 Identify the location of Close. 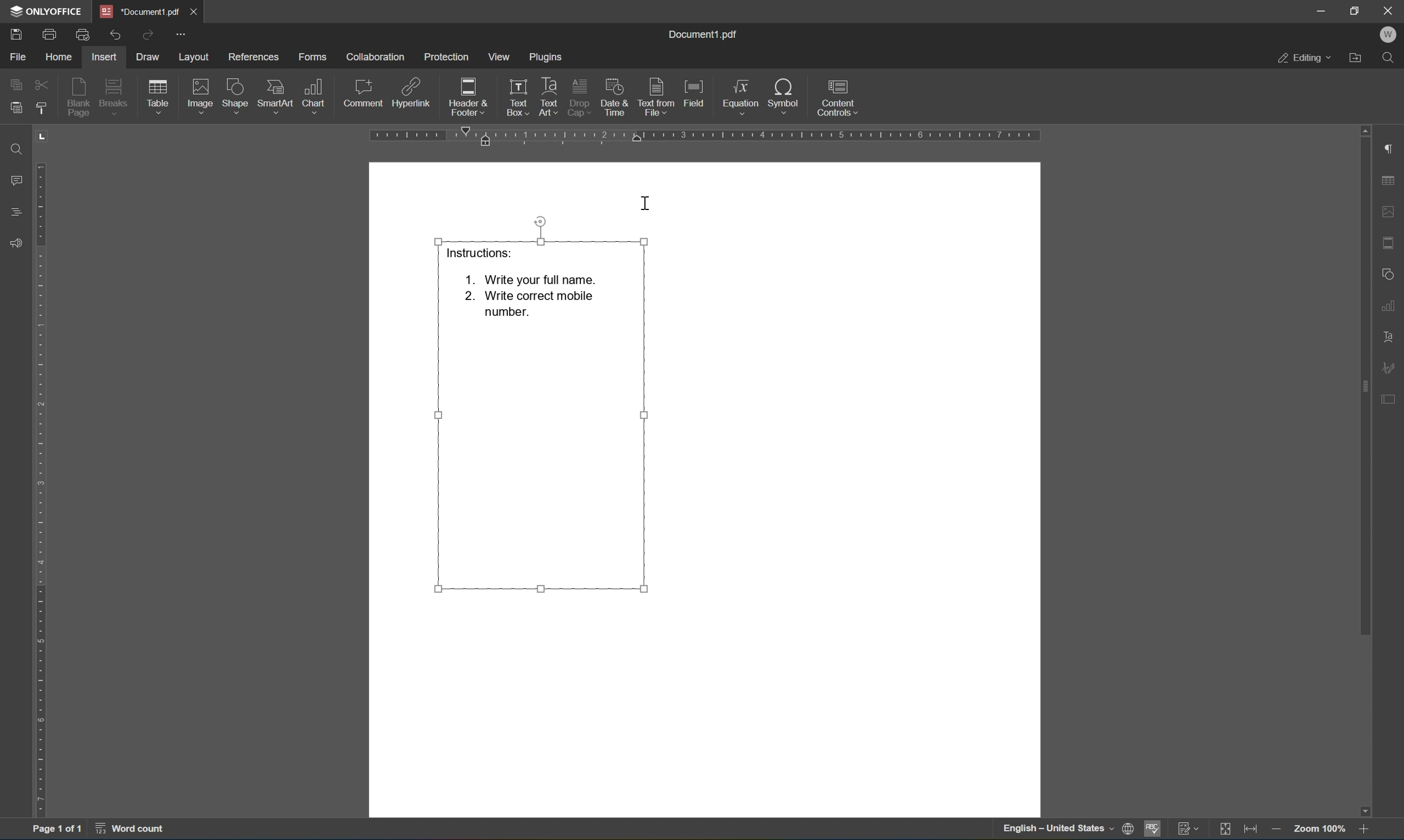
(195, 11).